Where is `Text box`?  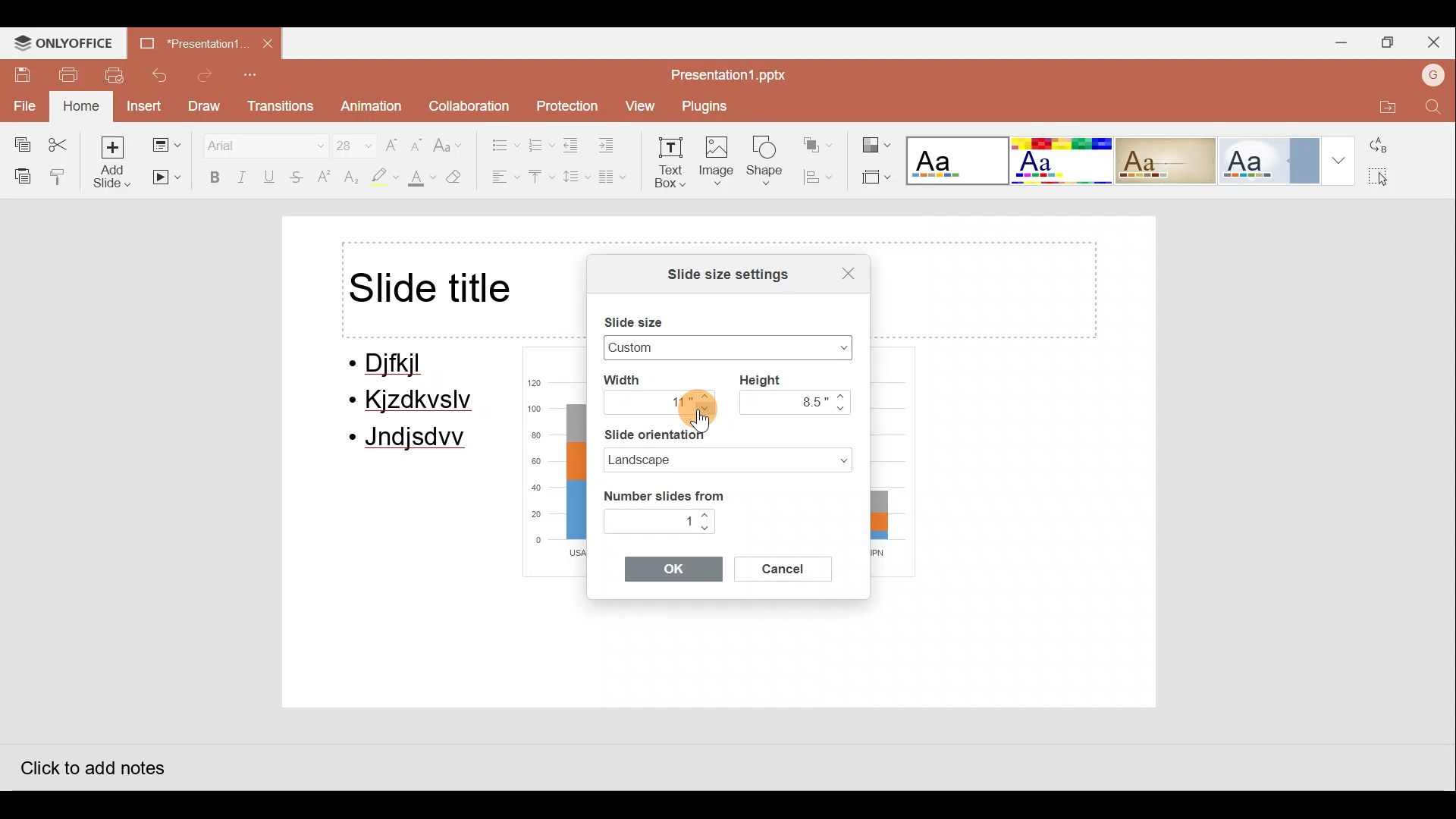 Text box is located at coordinates (672, 165).